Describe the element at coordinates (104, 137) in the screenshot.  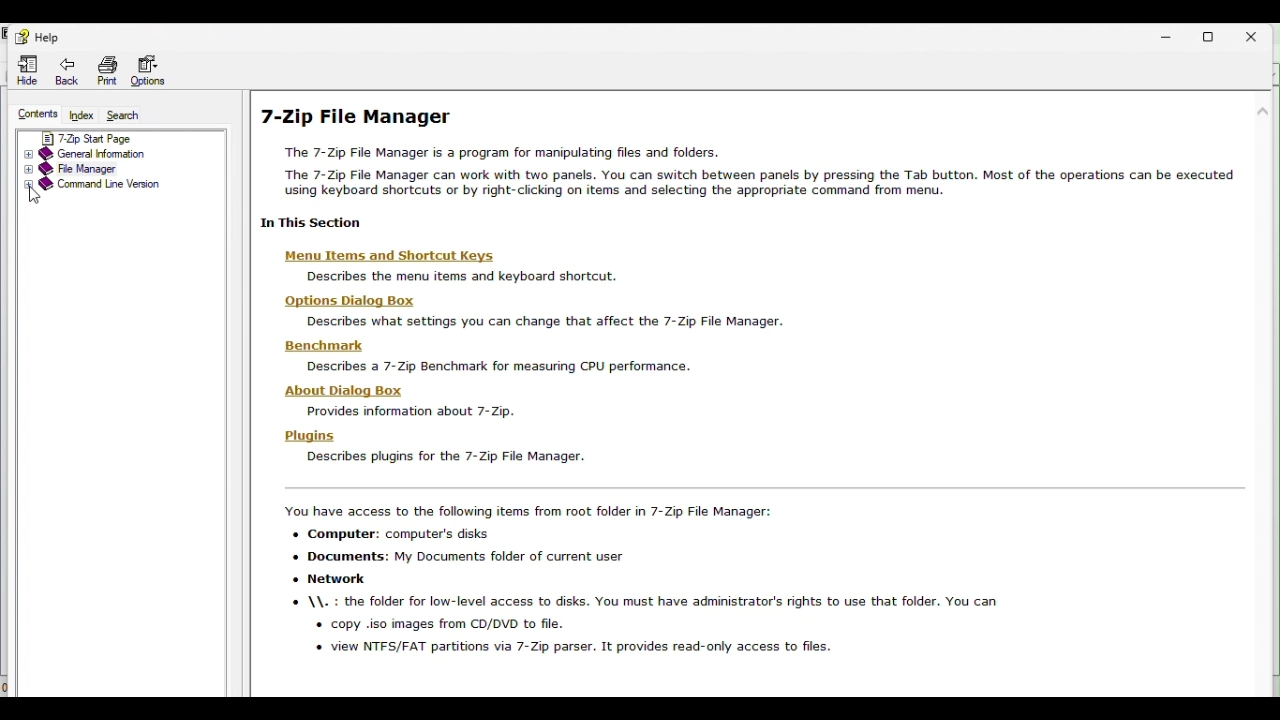
I see `7 zip start page` at that location.